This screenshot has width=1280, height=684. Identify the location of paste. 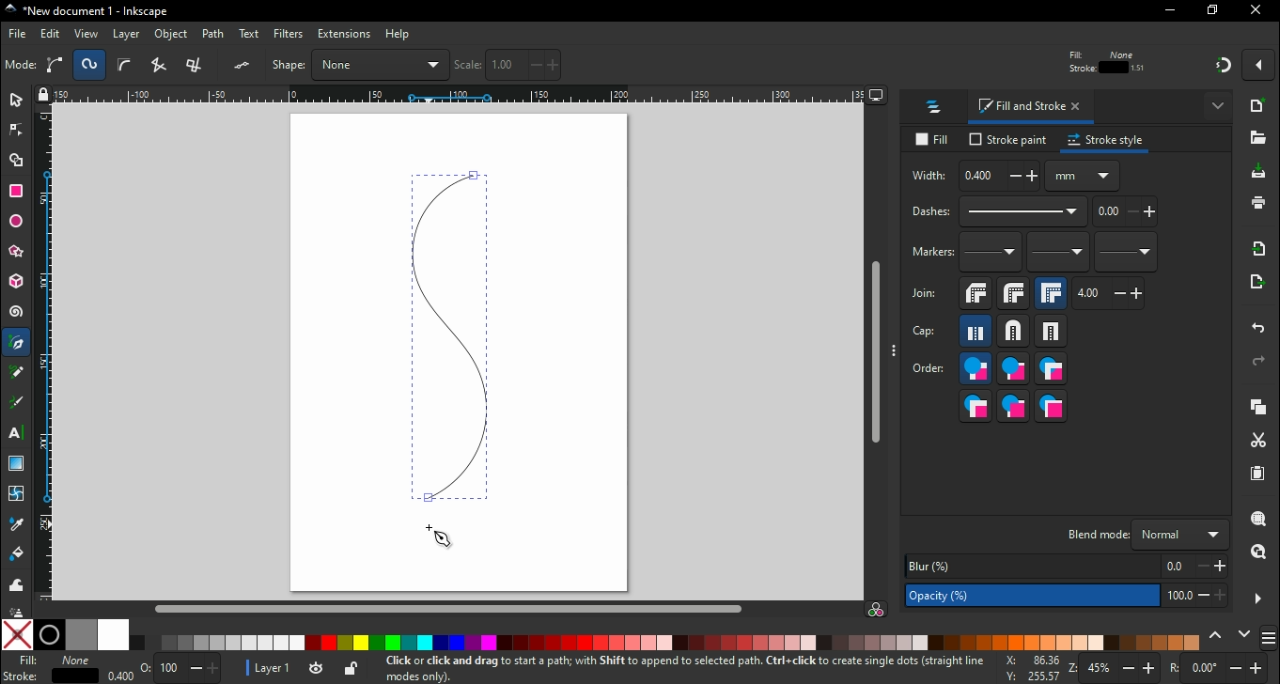
(1258, 475).